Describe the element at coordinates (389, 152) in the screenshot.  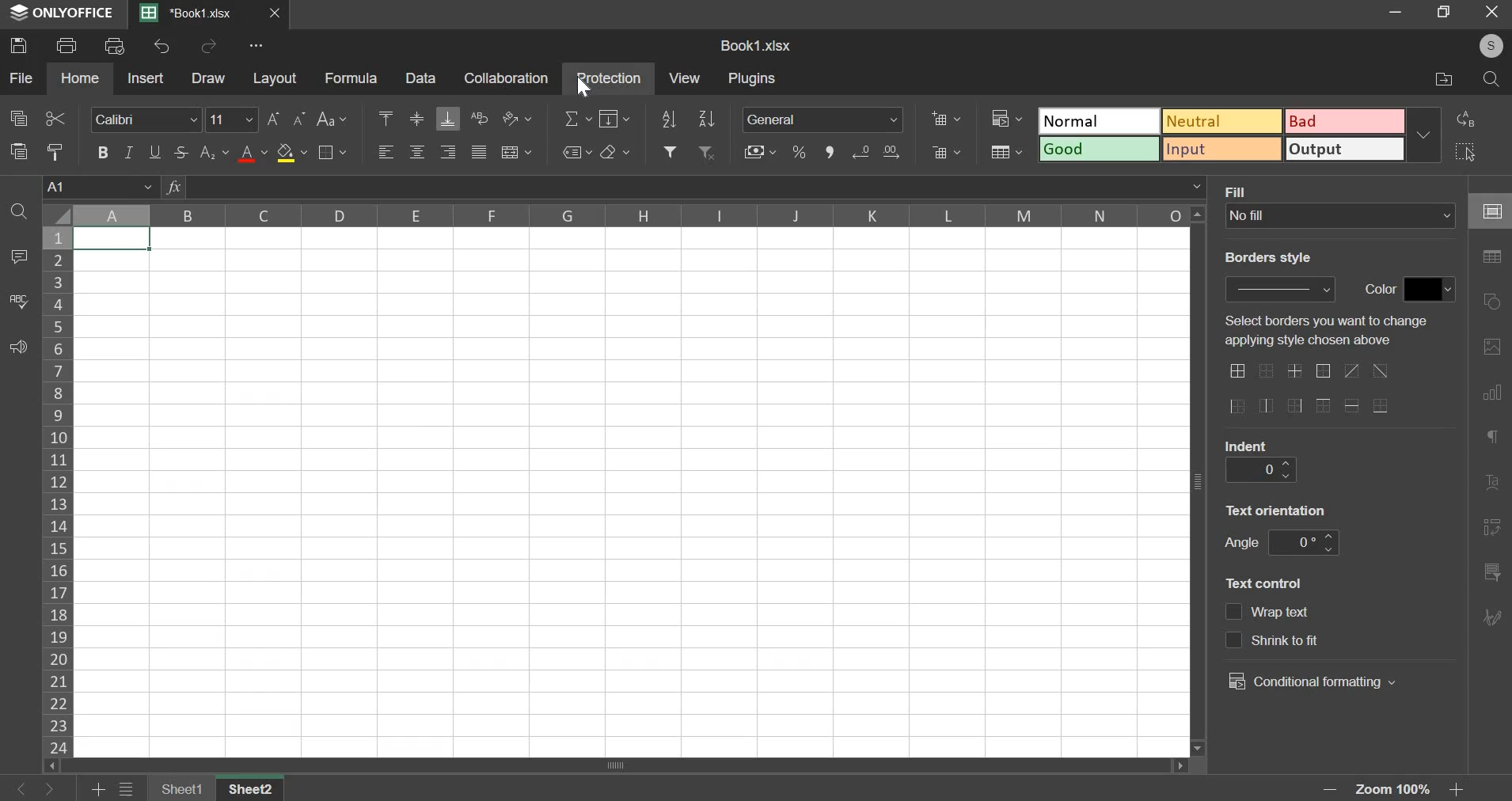
I see `horizontal alignment` at that location.